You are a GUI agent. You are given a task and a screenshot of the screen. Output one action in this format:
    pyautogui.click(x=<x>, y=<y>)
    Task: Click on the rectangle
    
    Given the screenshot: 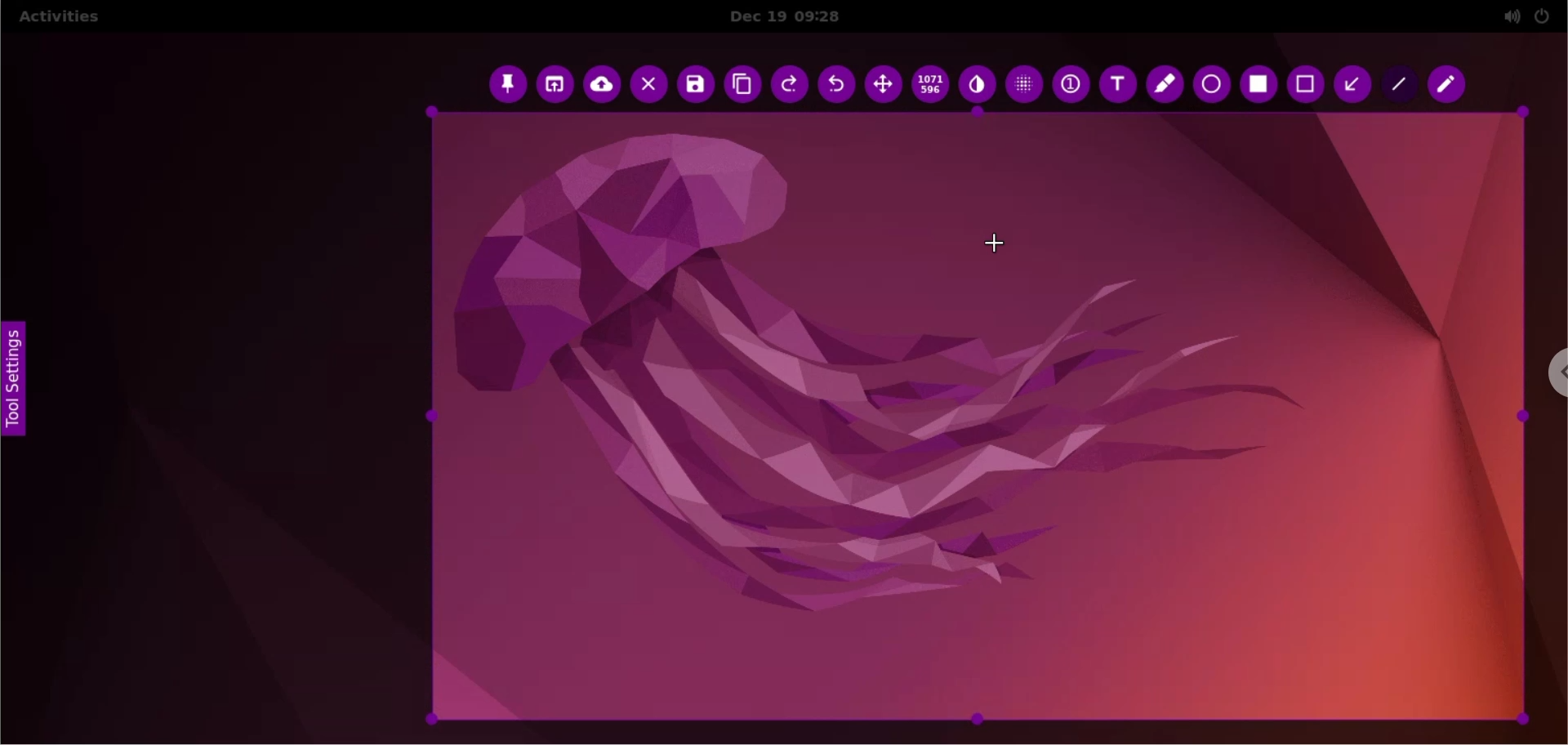 What is the action you would take?
    pyautogui.click(x=1303, y=84)
    